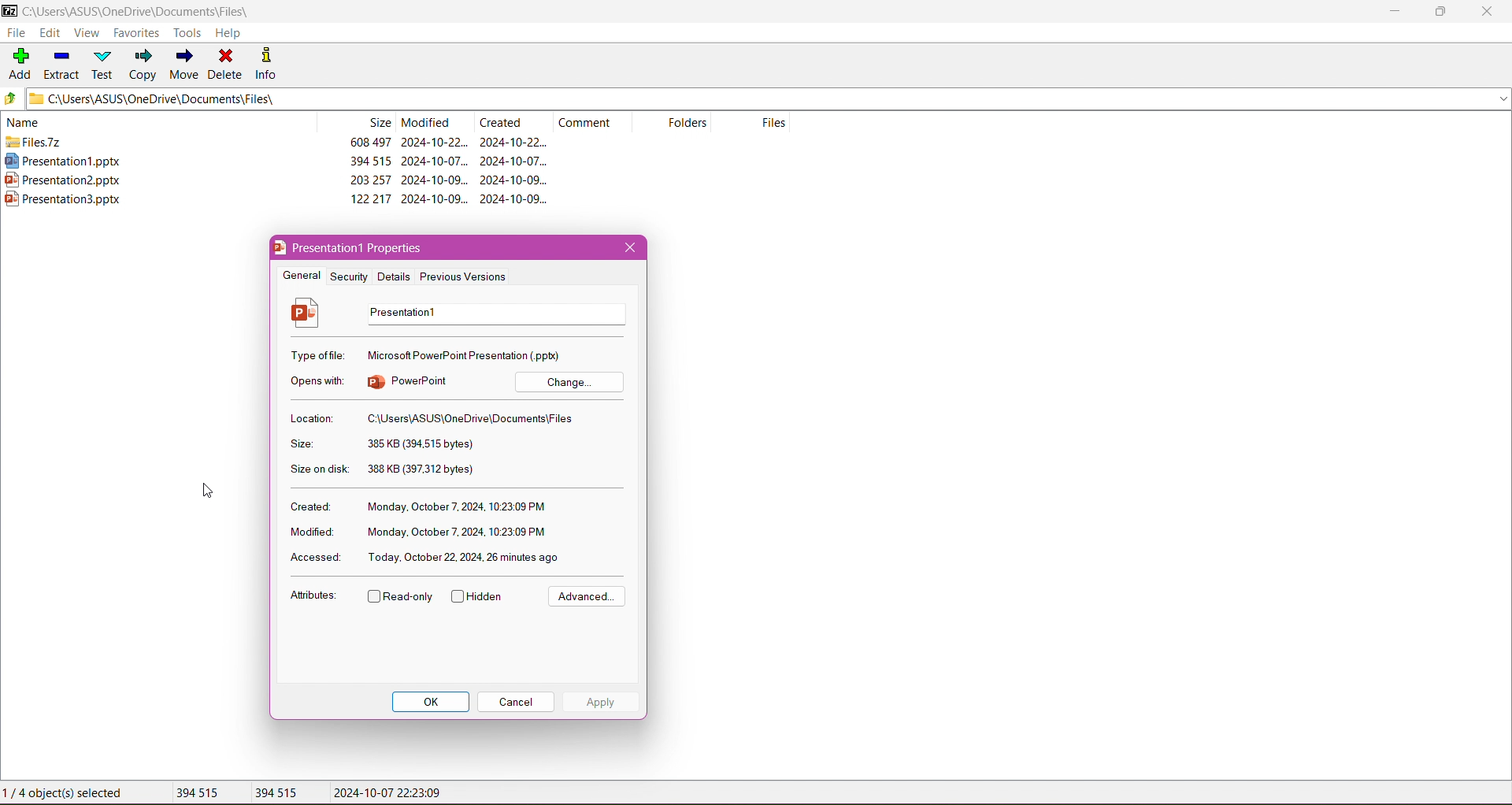 The height and width of the screenshot is (805, 1512). I want to click on presentation2.pptx, so click(63, 180).